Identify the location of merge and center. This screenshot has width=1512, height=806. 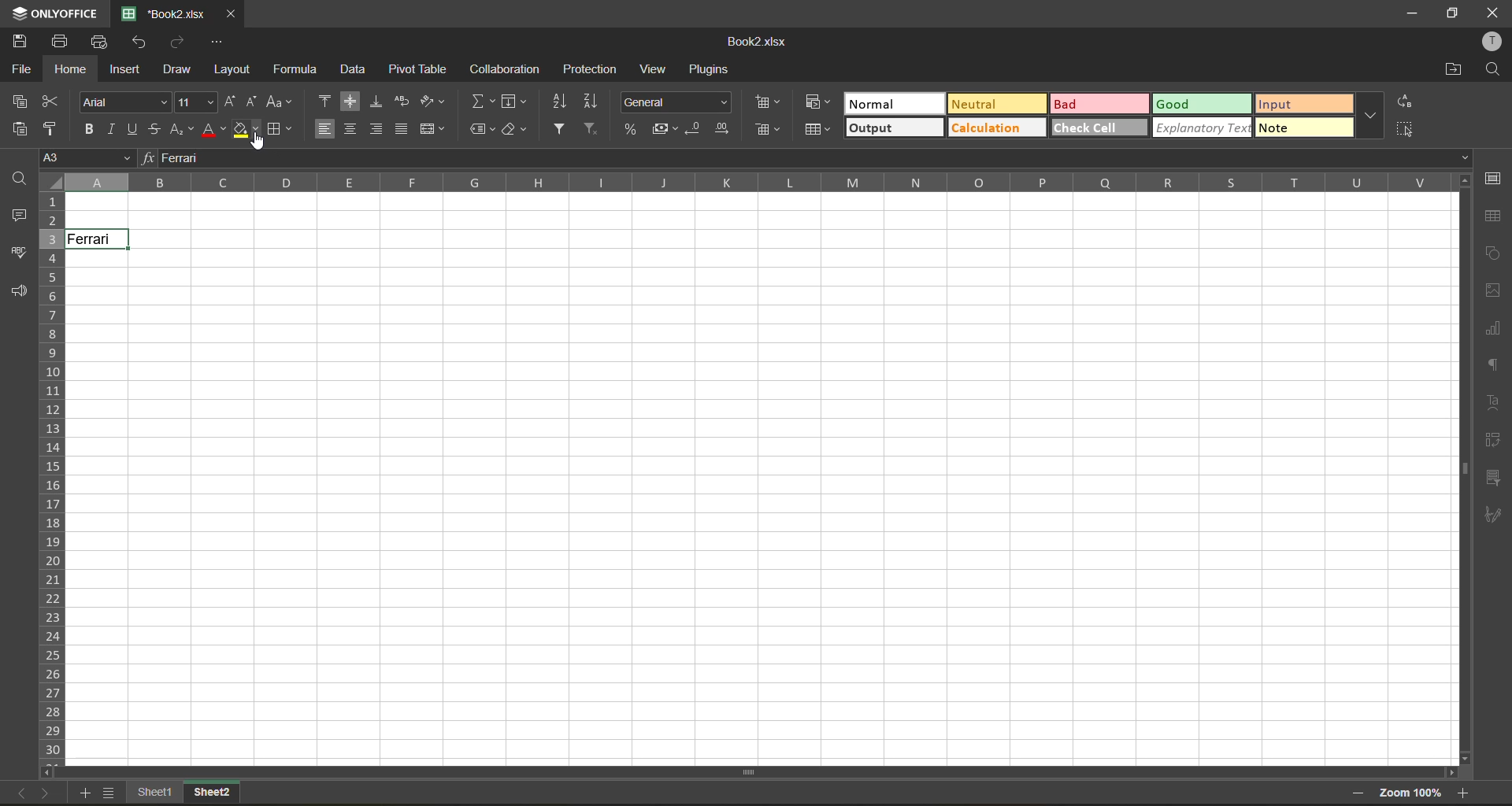
(431, 131).